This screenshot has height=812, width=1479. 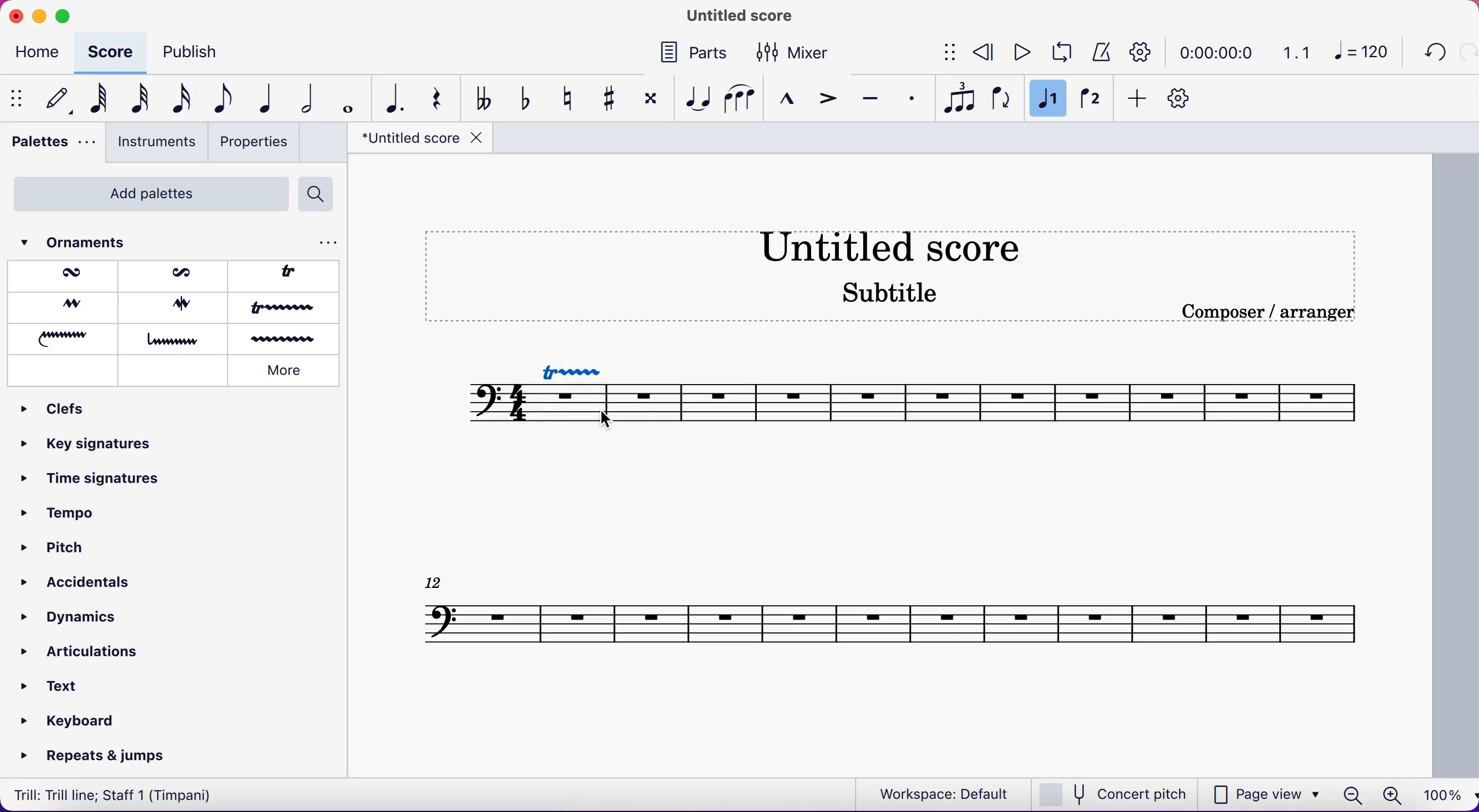 I want to click on score, so click(x=932, y=399).